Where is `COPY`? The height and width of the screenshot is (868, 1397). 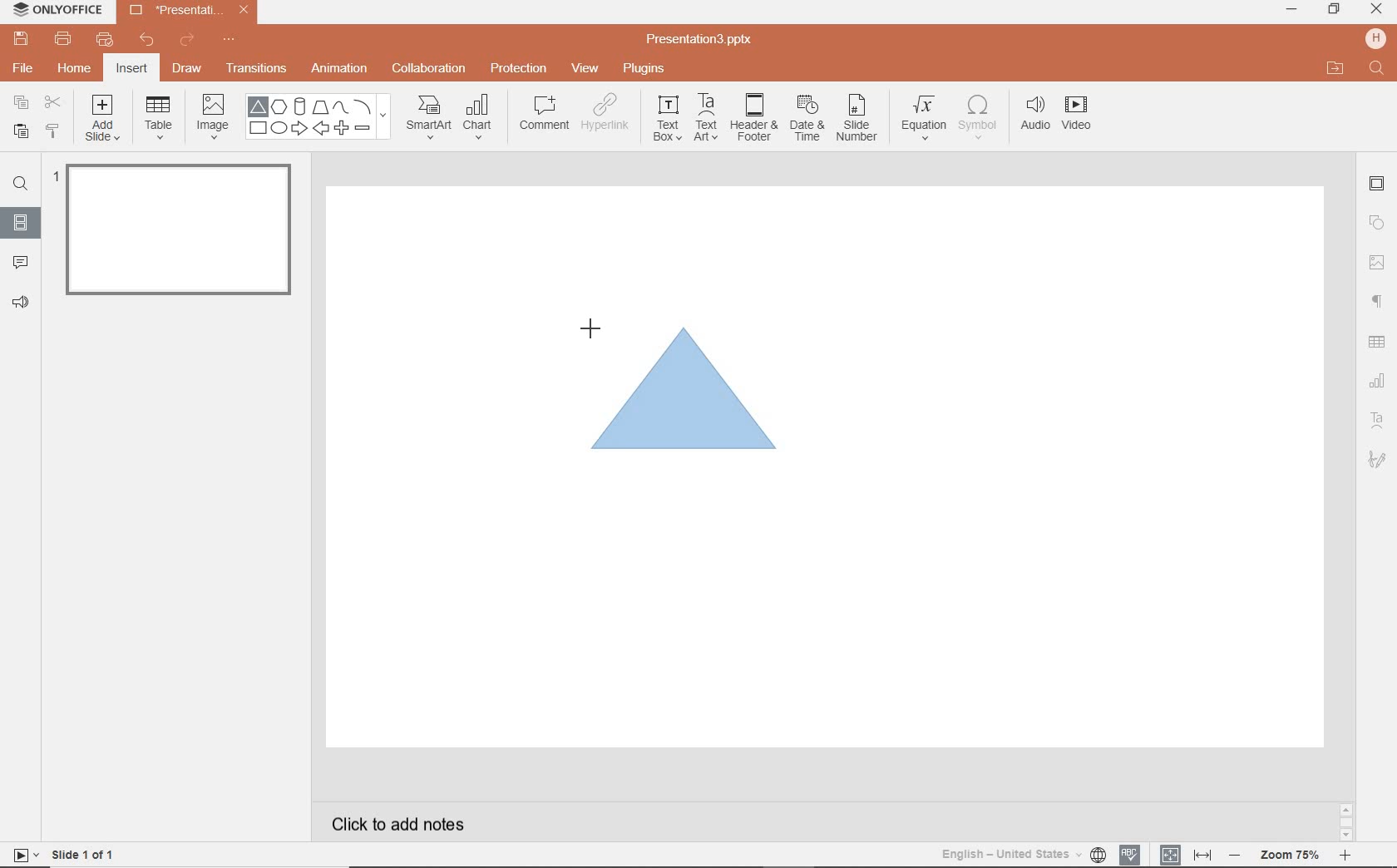 COPY is located at coordinates (22, 105).